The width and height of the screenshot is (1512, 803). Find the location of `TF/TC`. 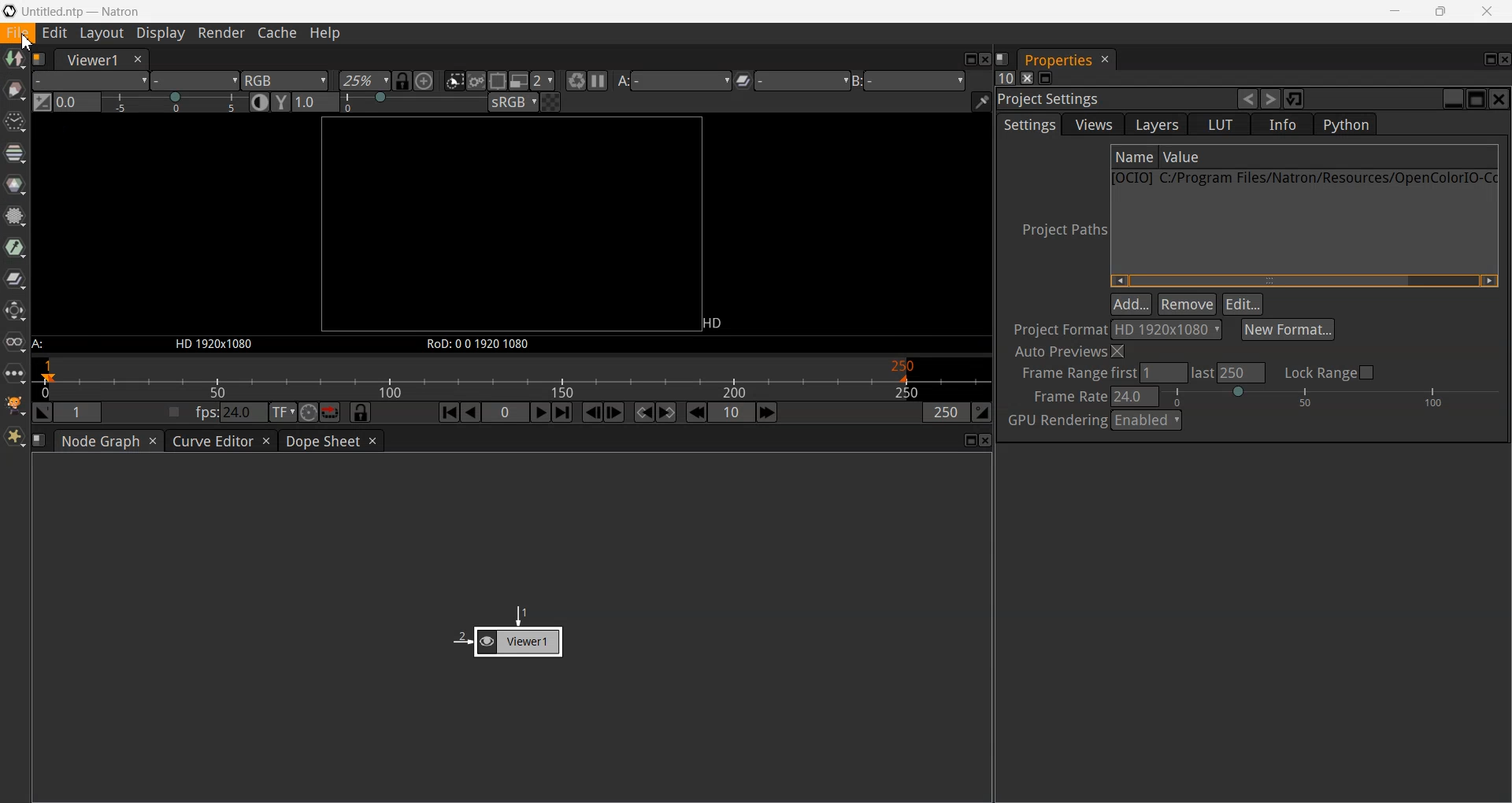

TF/TC is located at coordinates (283, 413).